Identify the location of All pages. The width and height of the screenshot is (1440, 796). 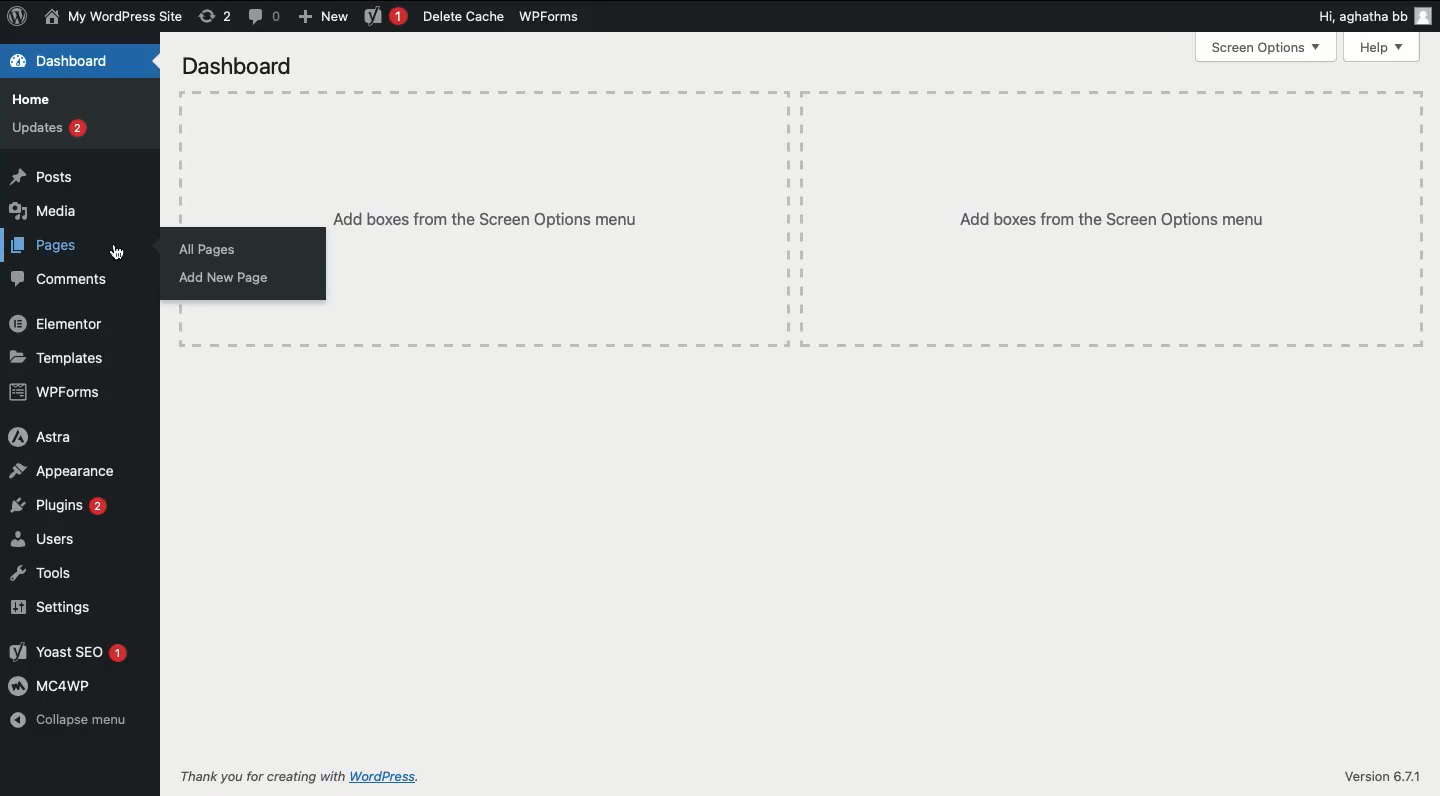
(211, 247).